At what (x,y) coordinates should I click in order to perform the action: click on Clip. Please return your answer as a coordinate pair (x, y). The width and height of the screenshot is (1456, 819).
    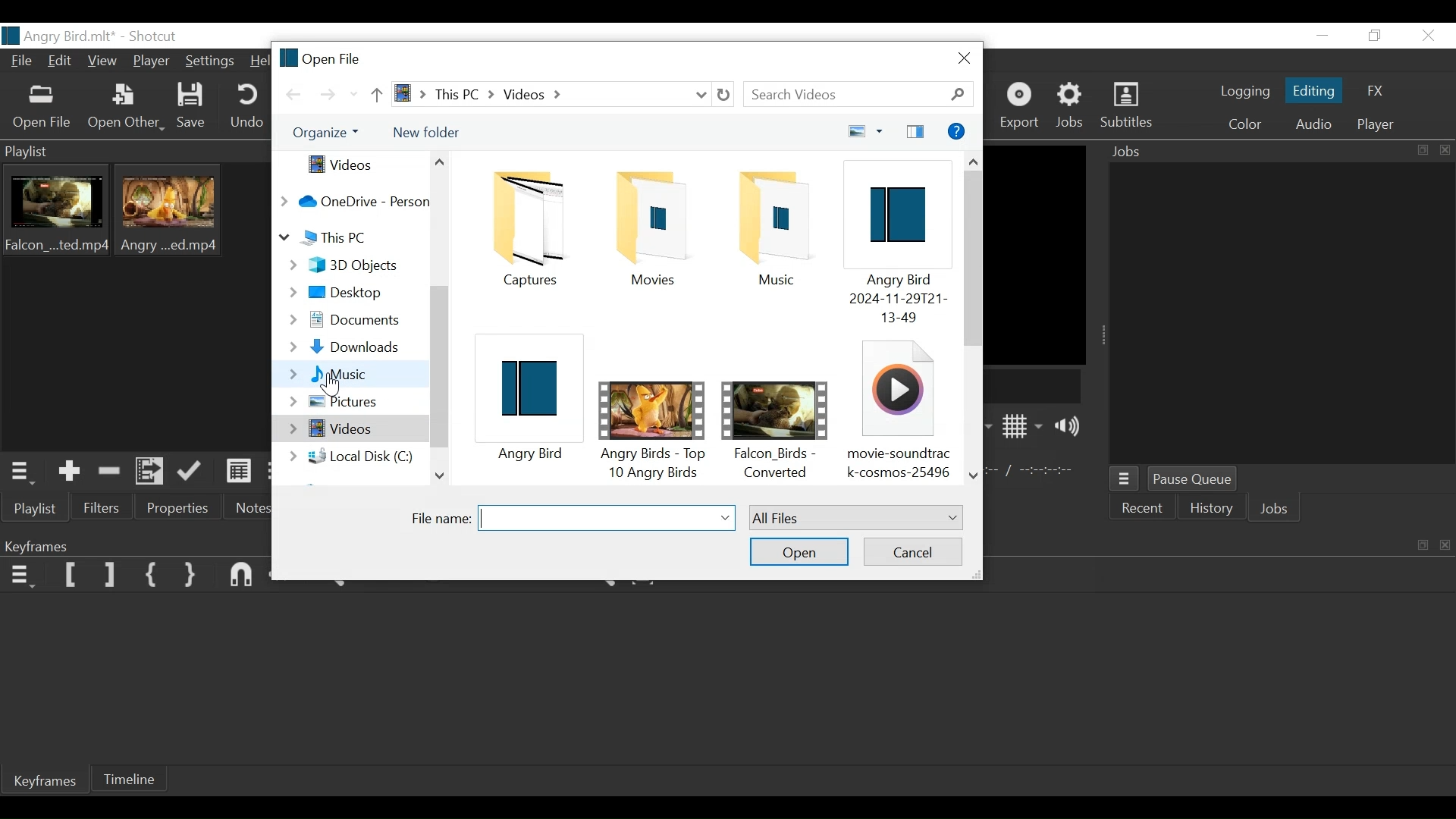
    Looking at the image, I should click on (174, 215).